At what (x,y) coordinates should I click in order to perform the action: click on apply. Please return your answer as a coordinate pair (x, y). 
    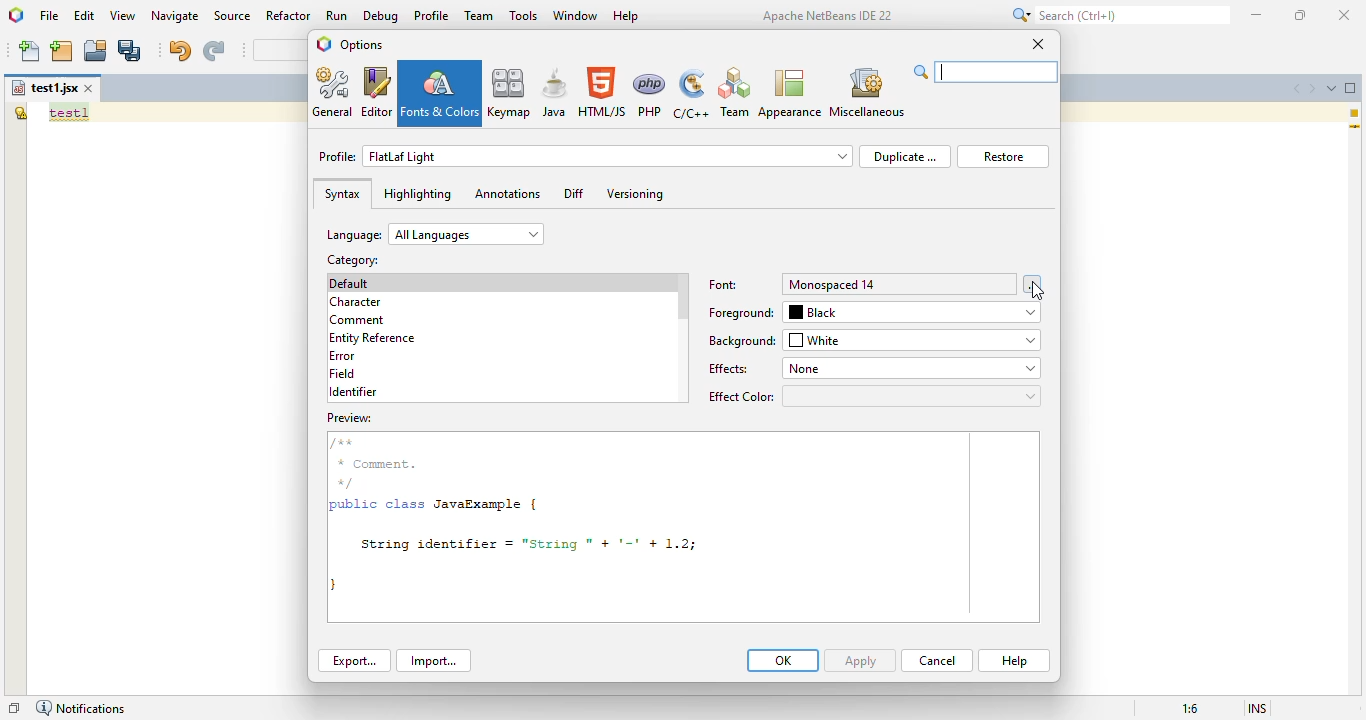
    Looking at the image, I should click on (862, 660).